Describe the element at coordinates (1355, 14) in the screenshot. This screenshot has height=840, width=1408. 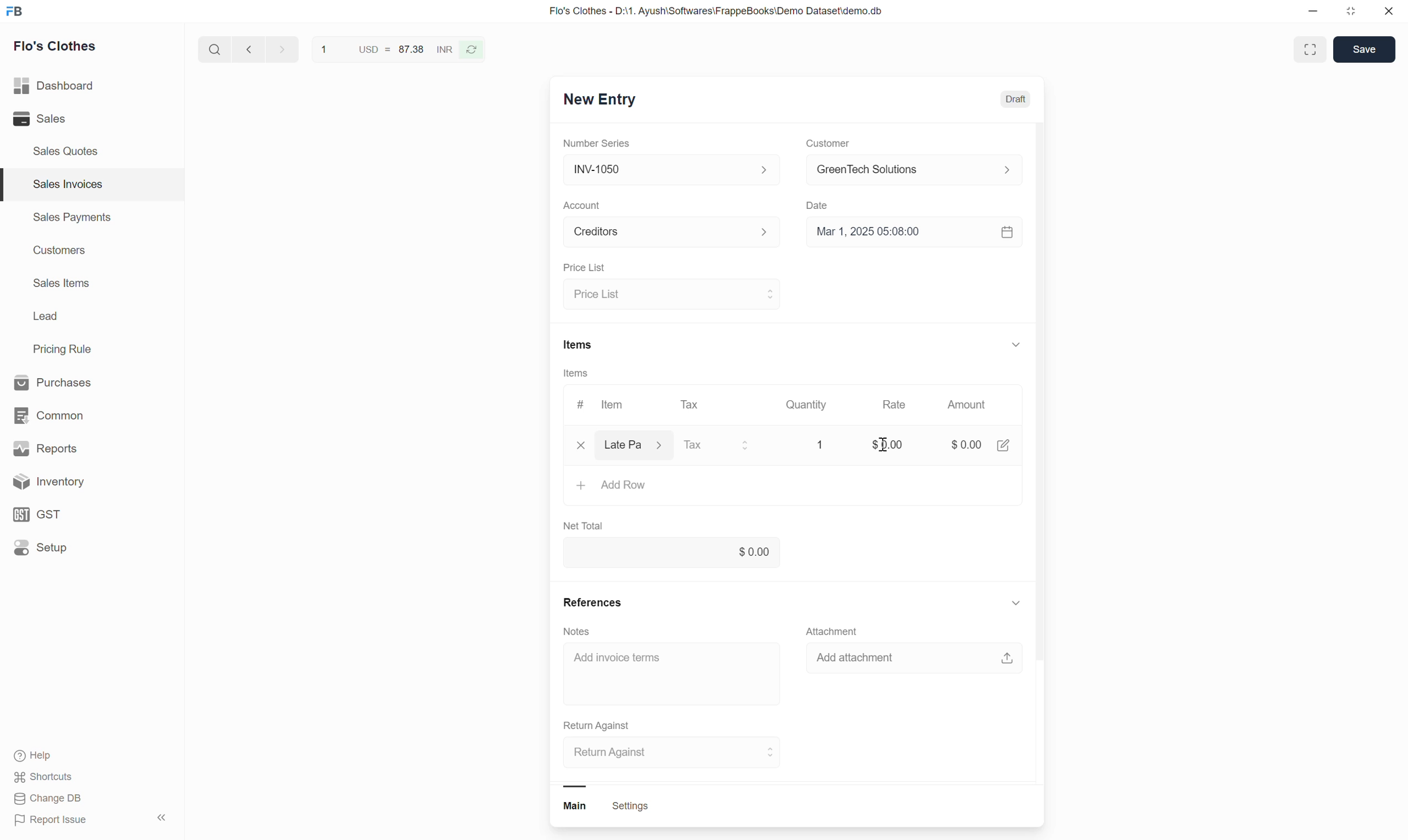
I see `resize ` at that location.